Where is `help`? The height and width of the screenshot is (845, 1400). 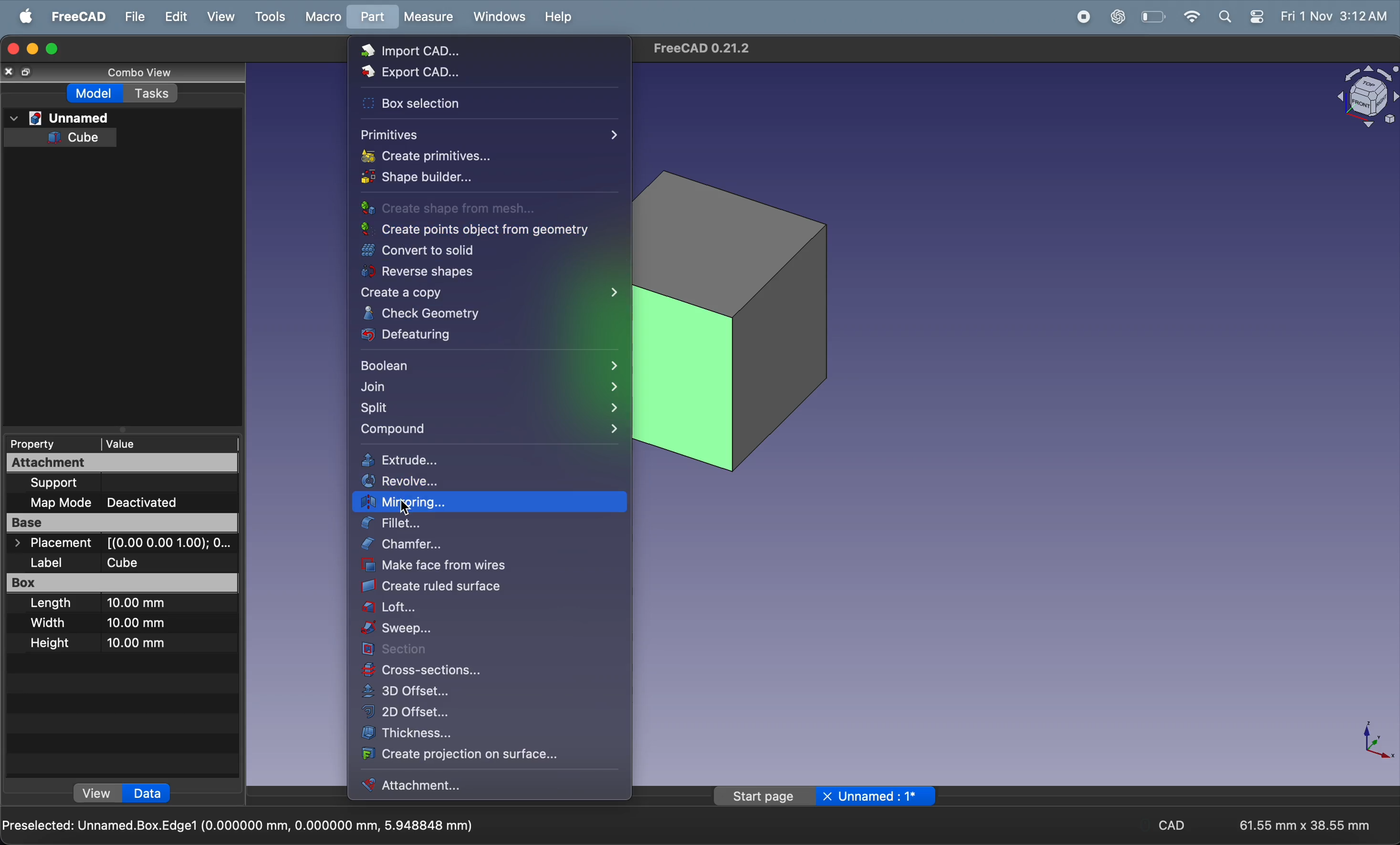
help is located at coordinates (557, 18).